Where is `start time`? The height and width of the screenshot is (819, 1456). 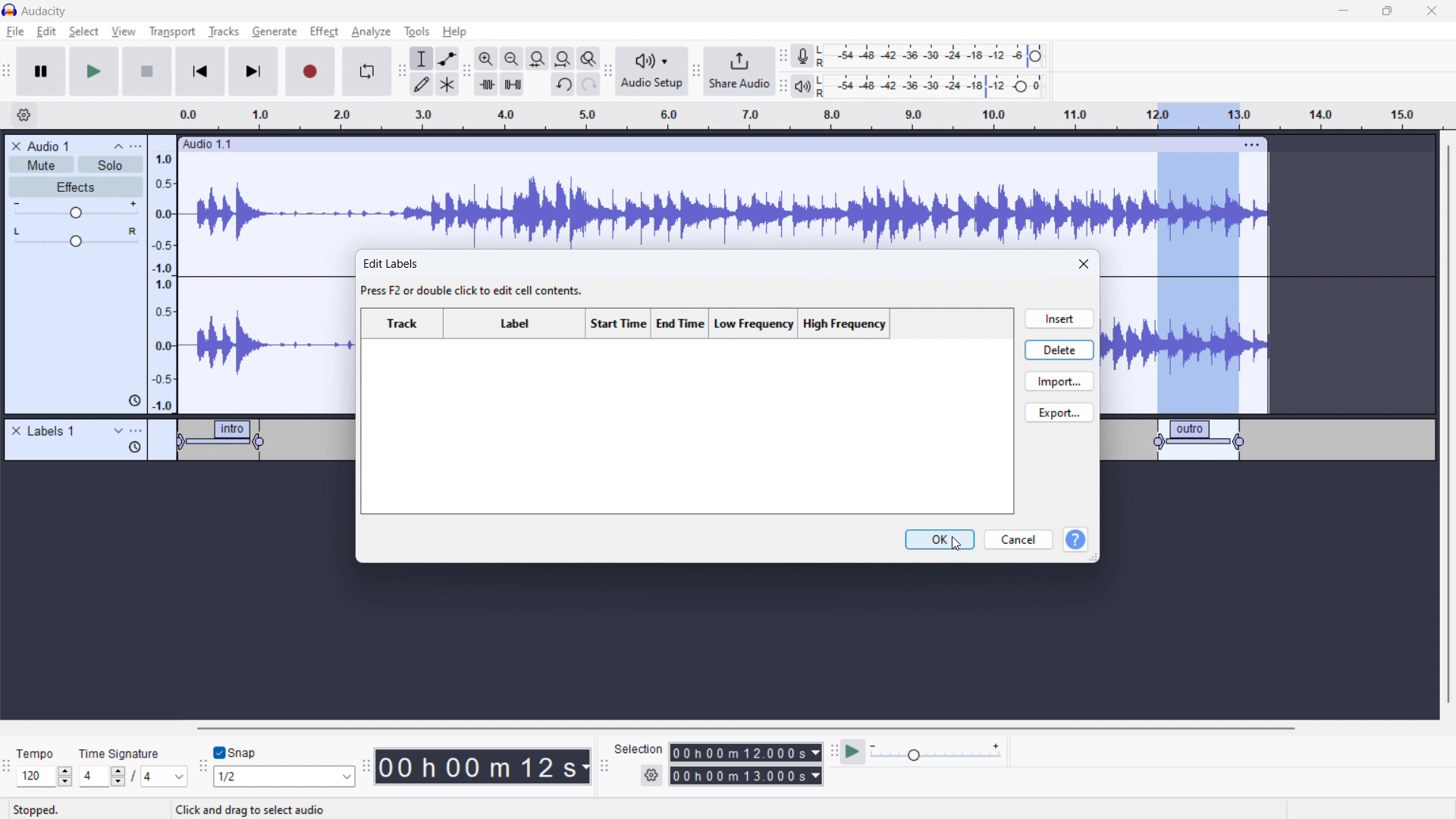
start time is located at coordinates (619, 324).